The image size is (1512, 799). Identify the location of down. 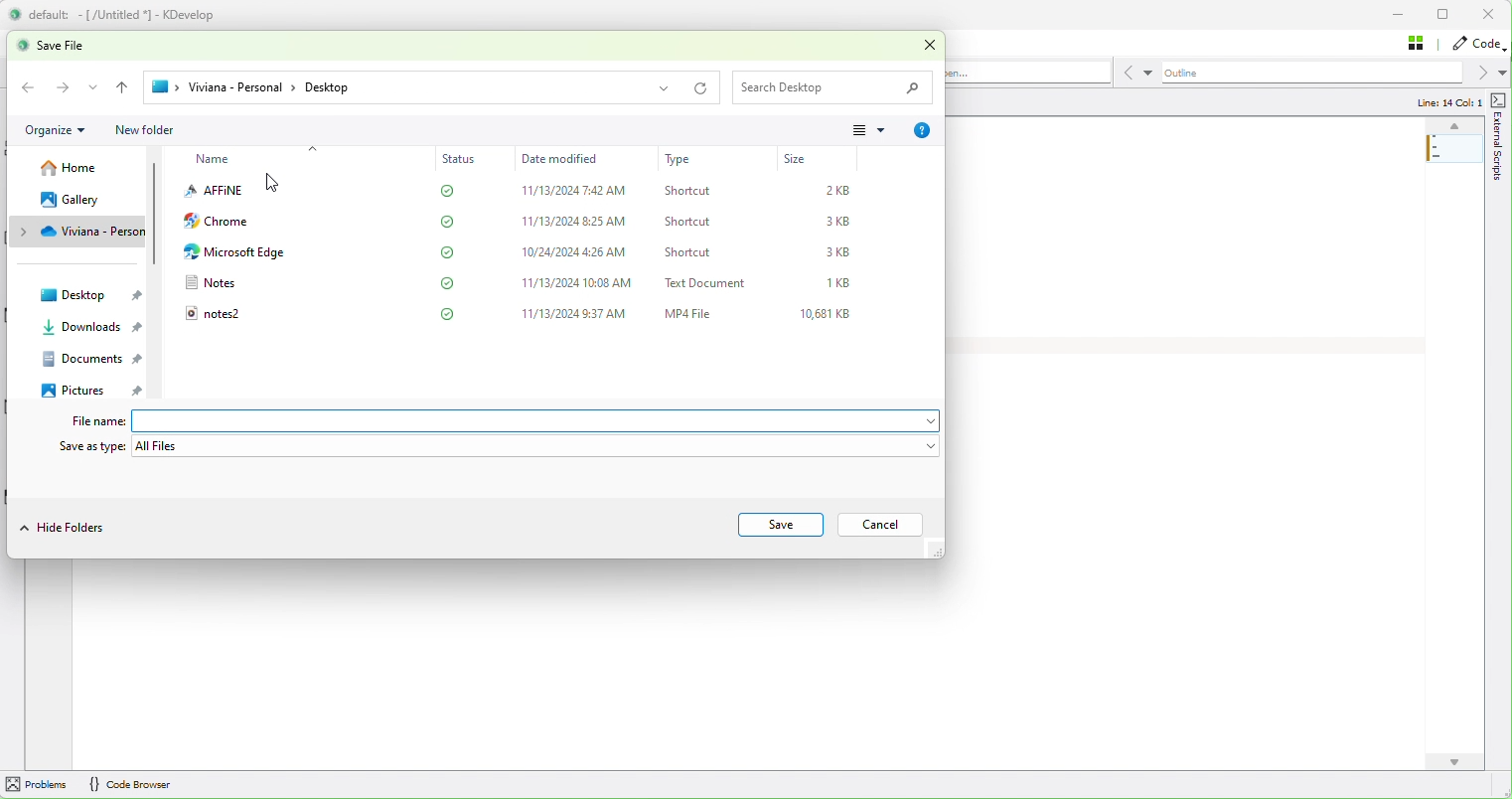
(1453, 762).